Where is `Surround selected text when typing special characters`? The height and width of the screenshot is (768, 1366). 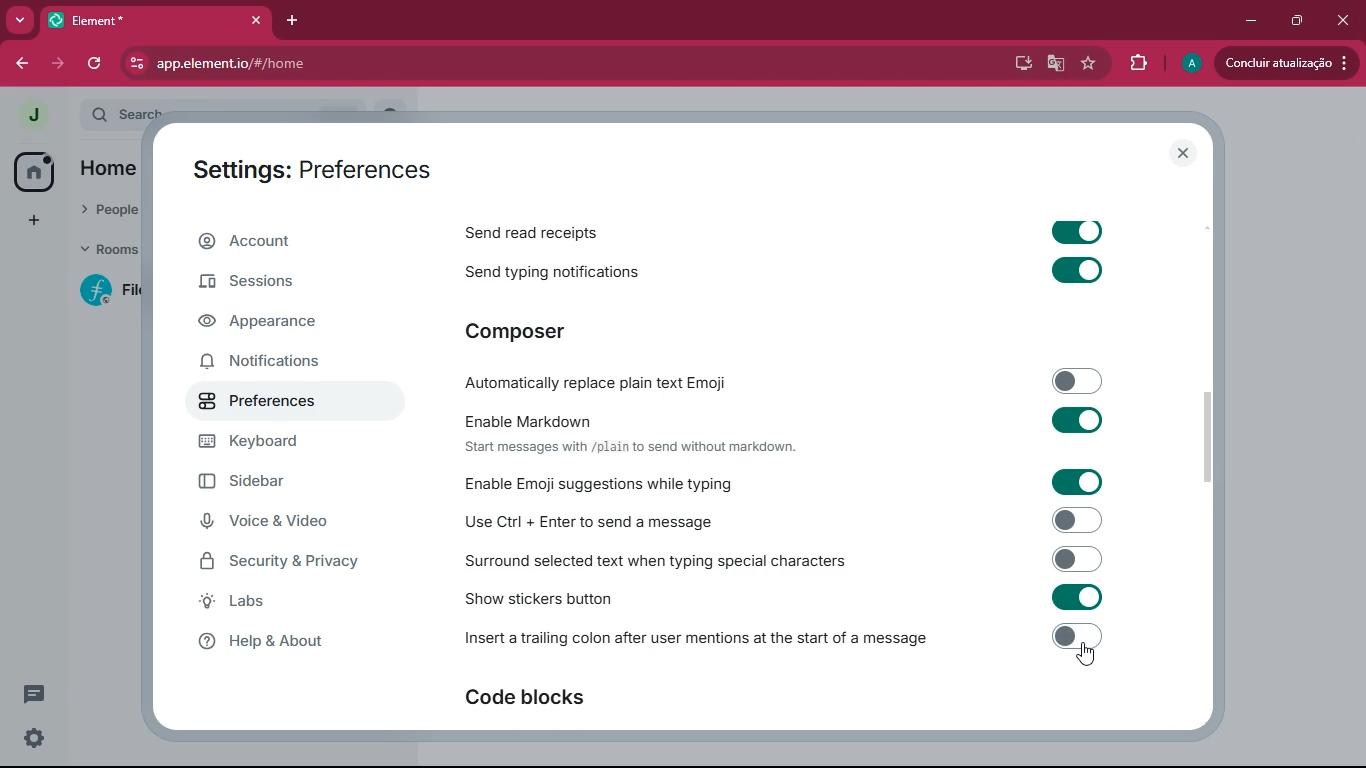 Surround selected text when typing special characters is located at coordinates (782, 559).